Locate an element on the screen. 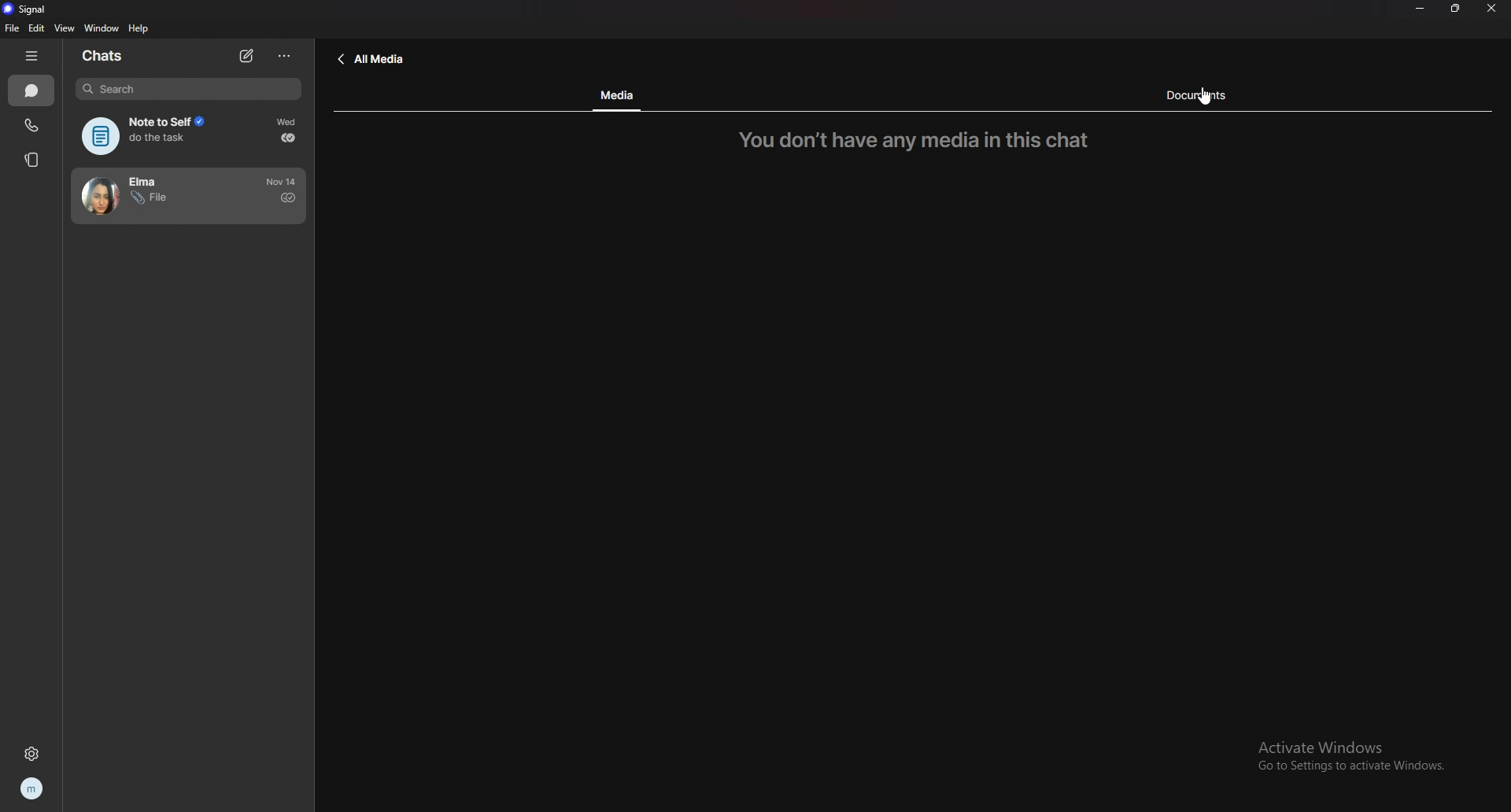  file is located at coordinates (12, 28).